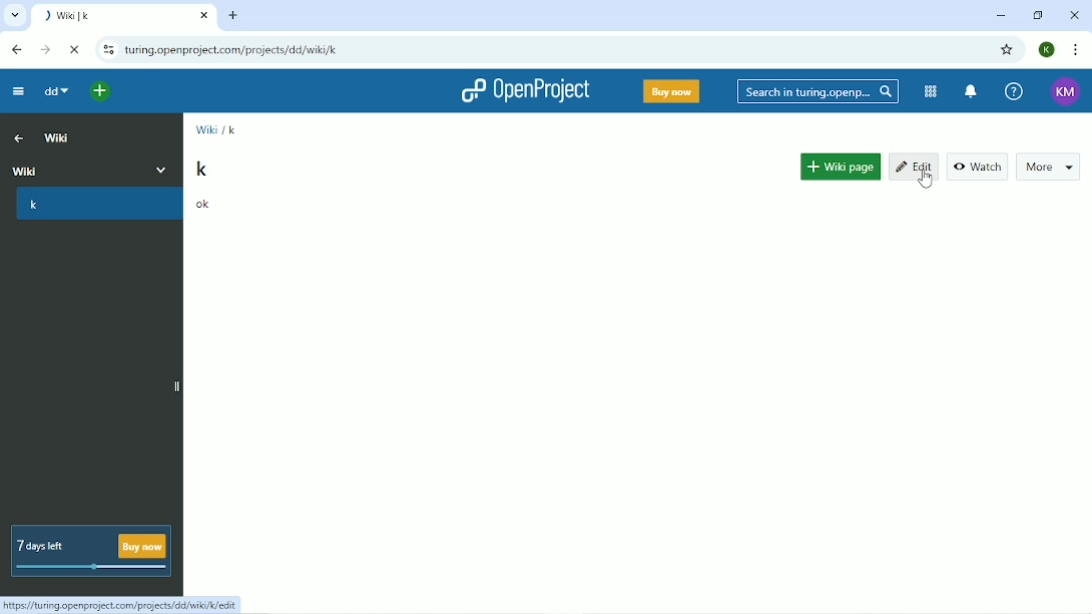  Describe the element at coordinates (1037, 15) in the screenshot. I see `Restore down` at that location.